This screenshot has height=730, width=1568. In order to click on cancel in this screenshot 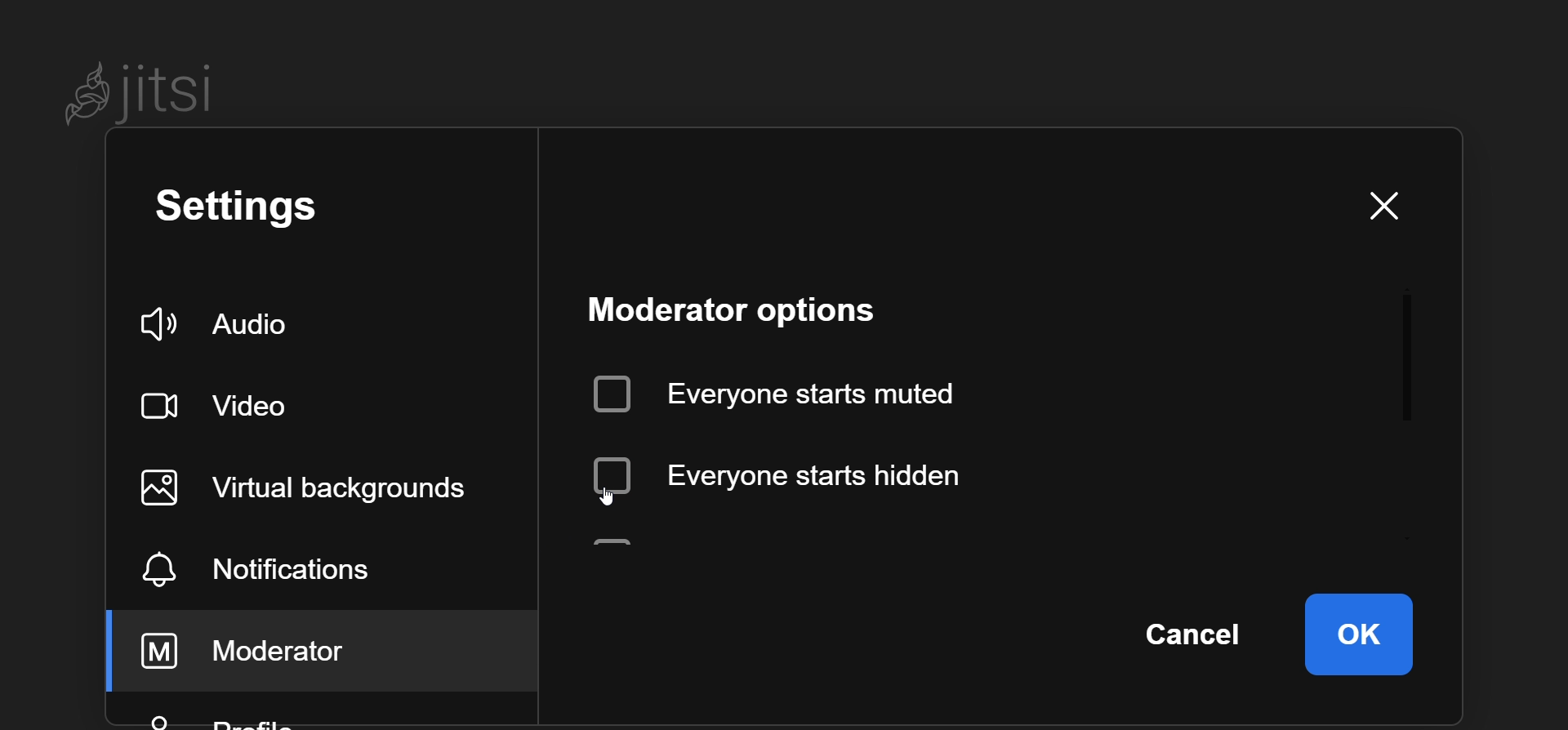, I will do `click(1199, 634)`.